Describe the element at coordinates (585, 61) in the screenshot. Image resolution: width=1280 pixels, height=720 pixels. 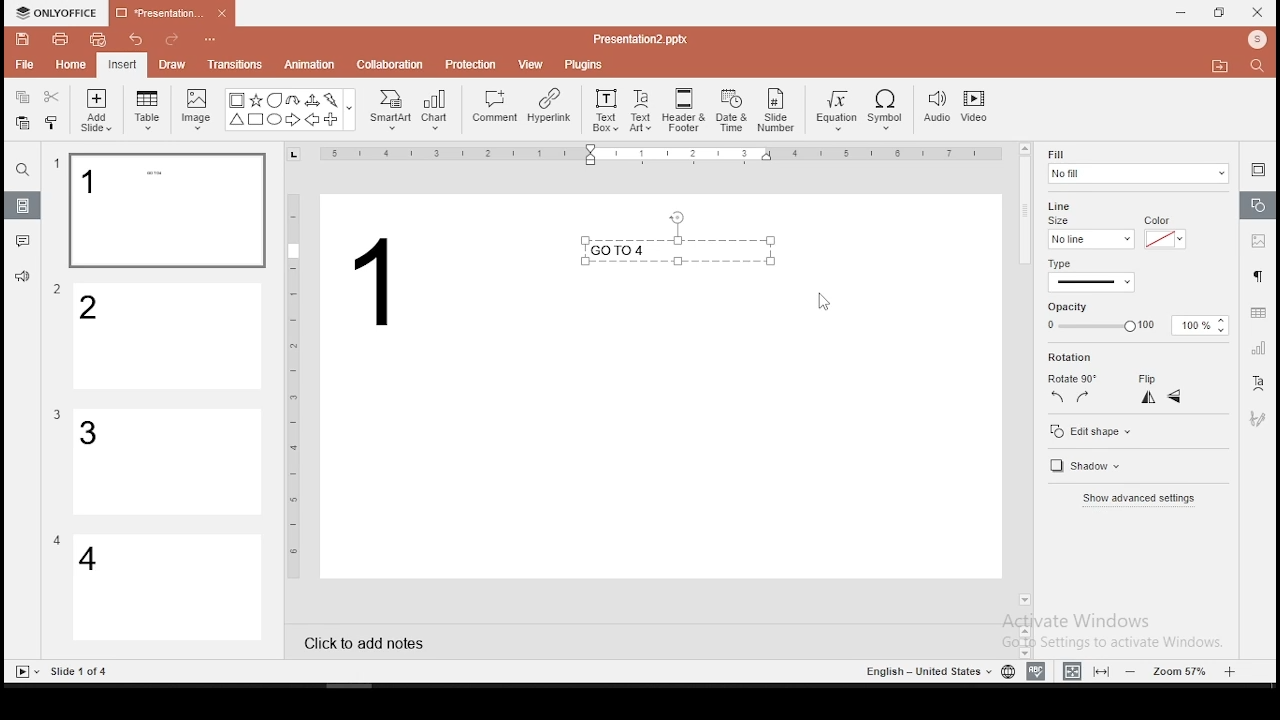
I see `plugins` at that location.